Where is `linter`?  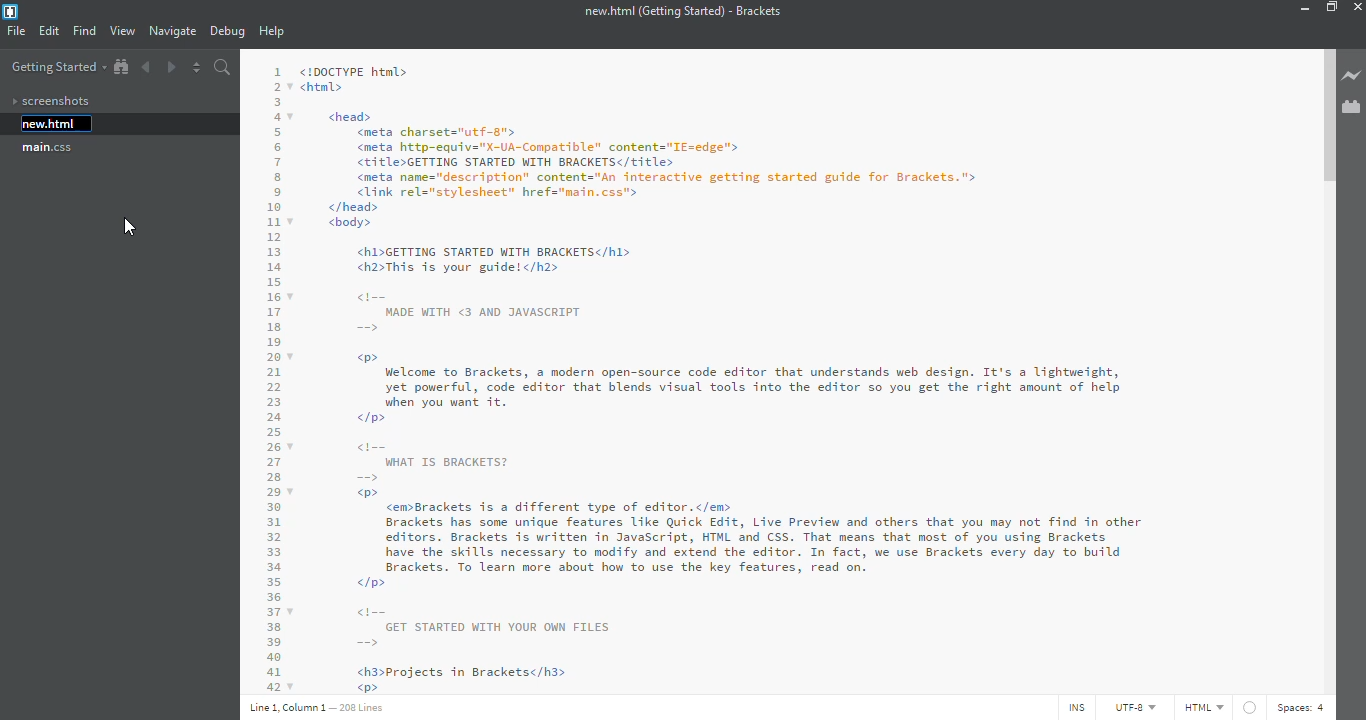
linter is located at coordinates (1249, 707).